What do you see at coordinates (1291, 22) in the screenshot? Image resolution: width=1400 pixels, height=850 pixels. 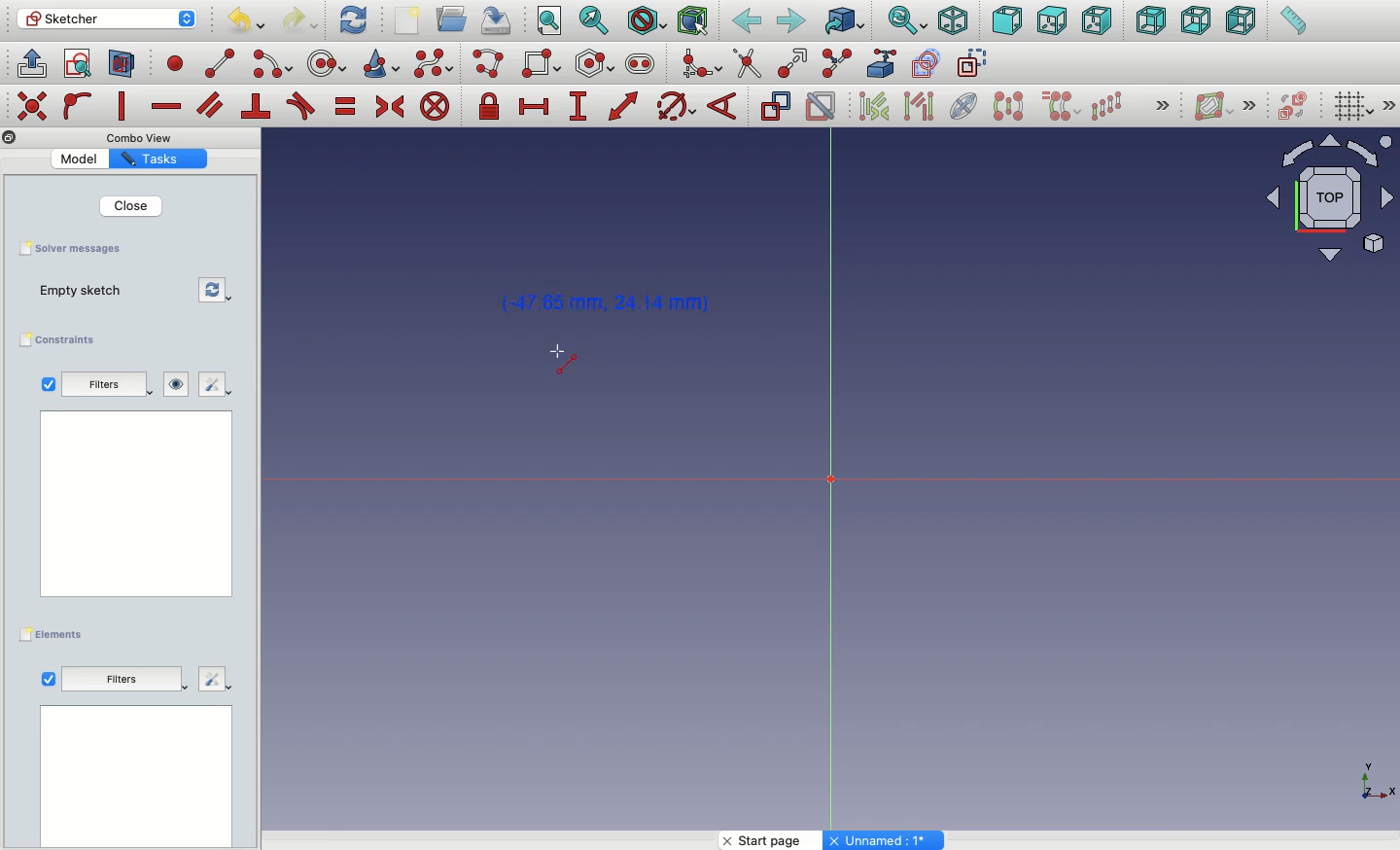 I see `Measure` at bounding box center [1291, 22].